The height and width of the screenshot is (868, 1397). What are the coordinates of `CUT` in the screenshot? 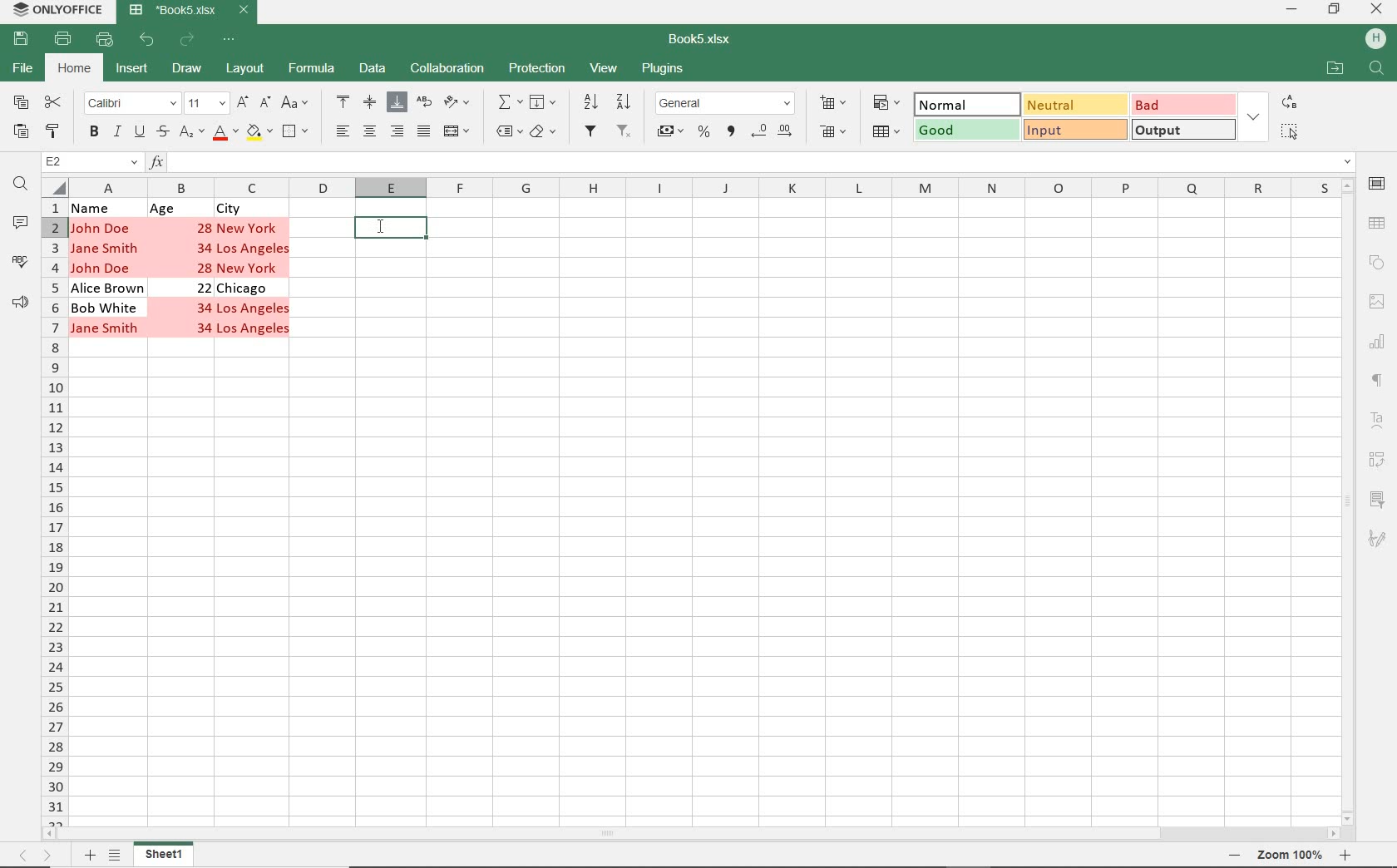 It's located at (52, 101).